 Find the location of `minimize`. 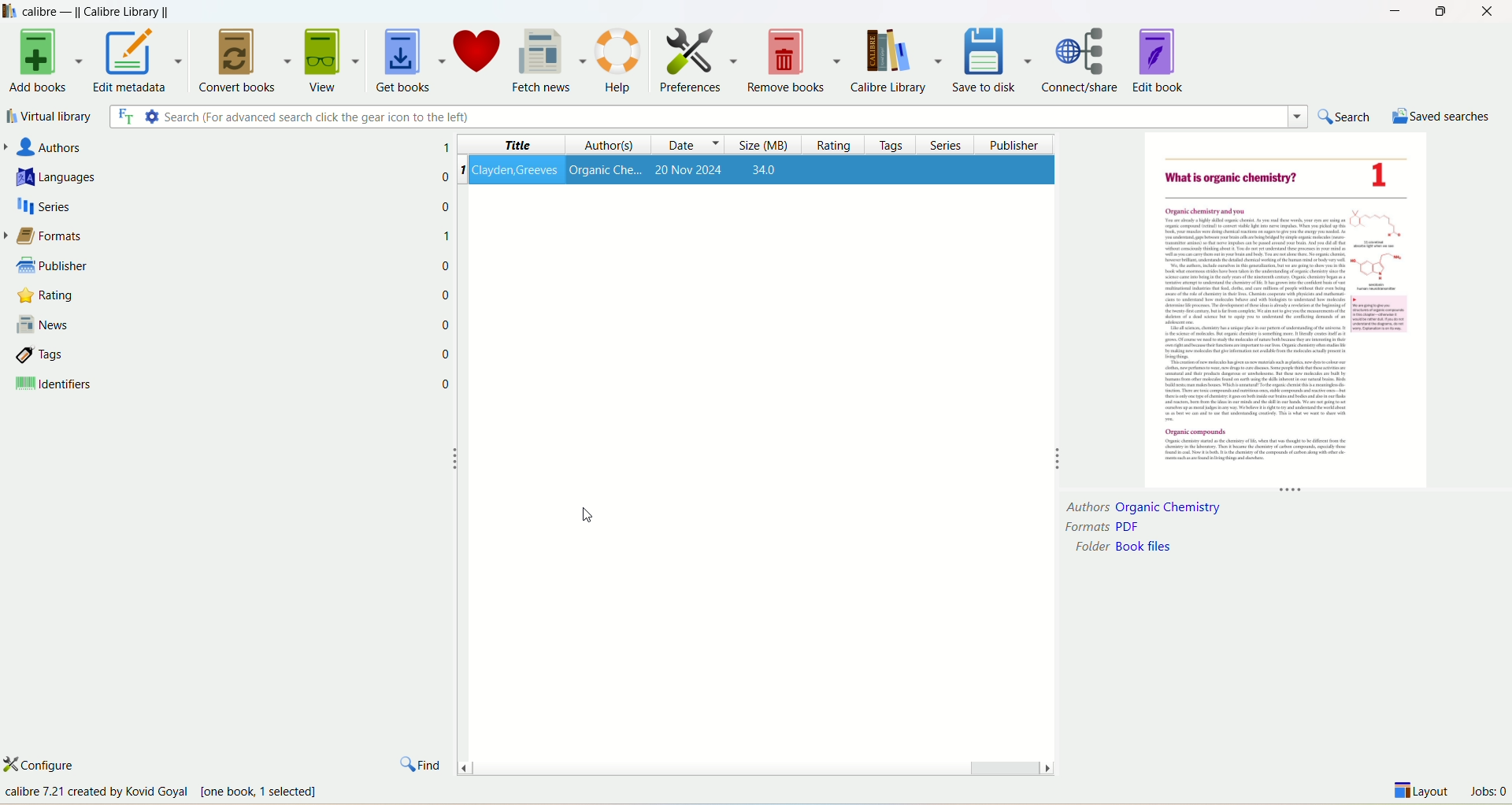

minimize is located at coordinates (1392, 11).